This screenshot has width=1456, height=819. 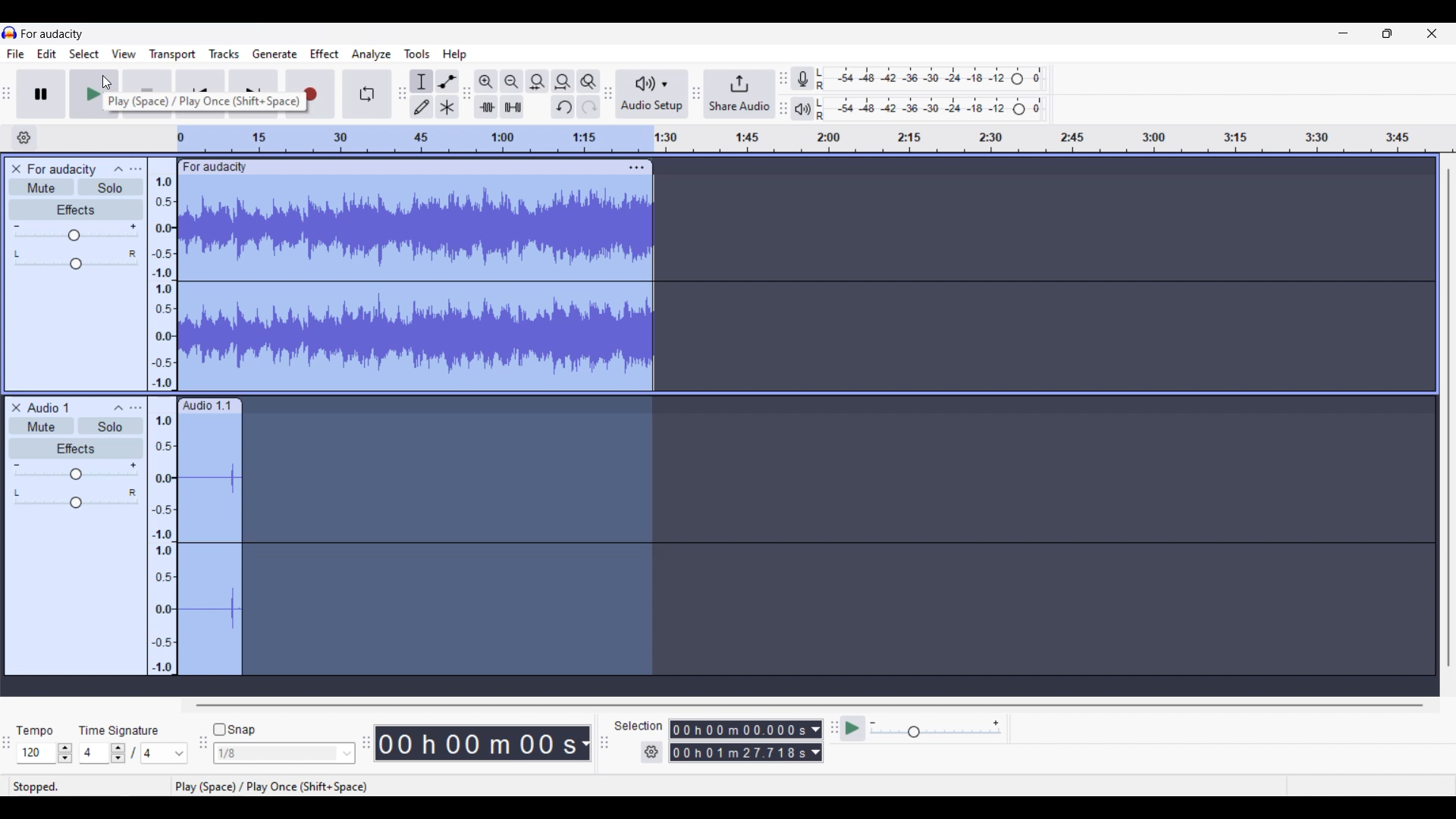 I want to click on play at speed, so click(x=853, y=728).